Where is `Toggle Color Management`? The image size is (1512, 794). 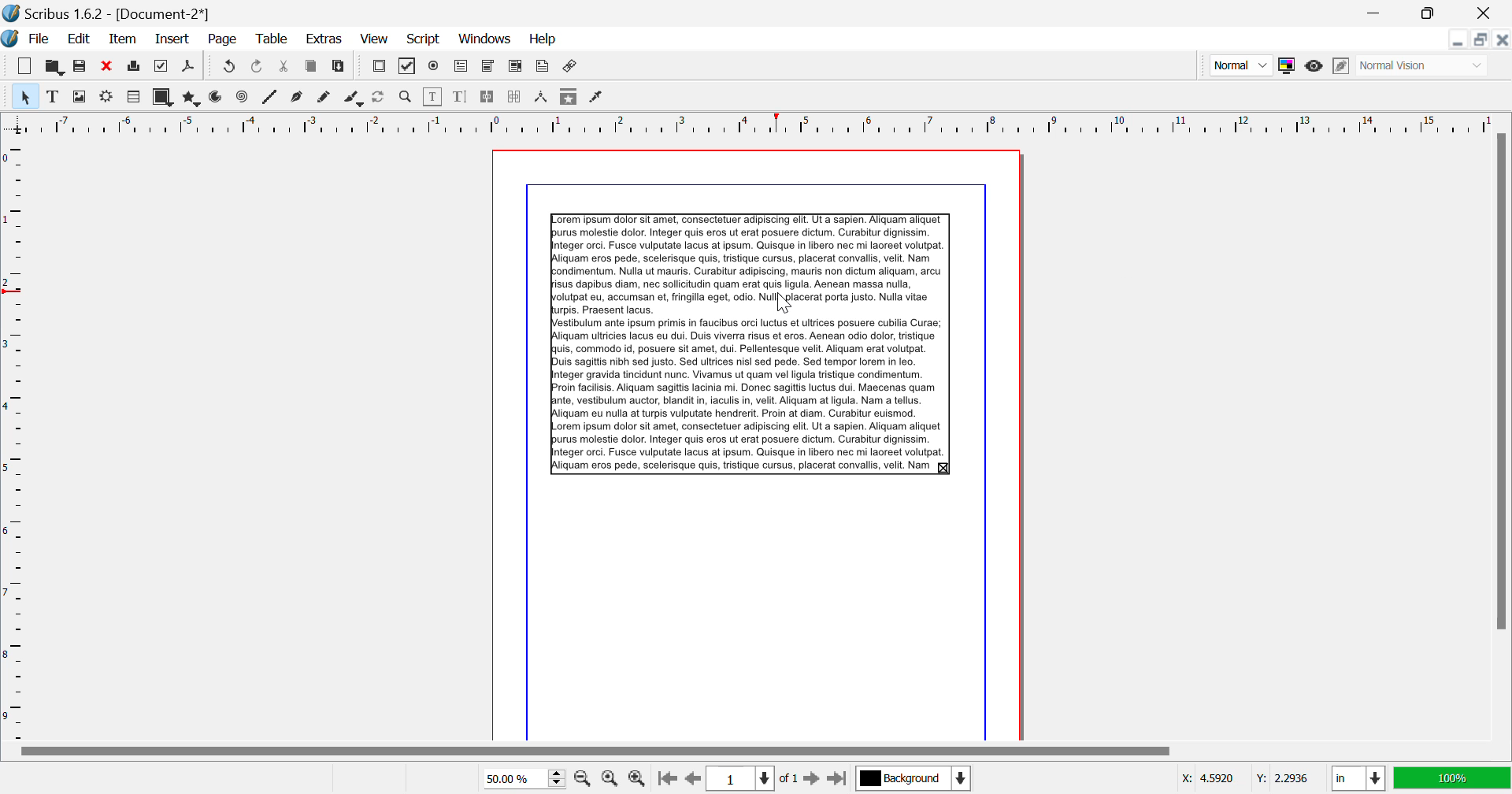 Toggle Color Management is located at coordinates (1286, 65).